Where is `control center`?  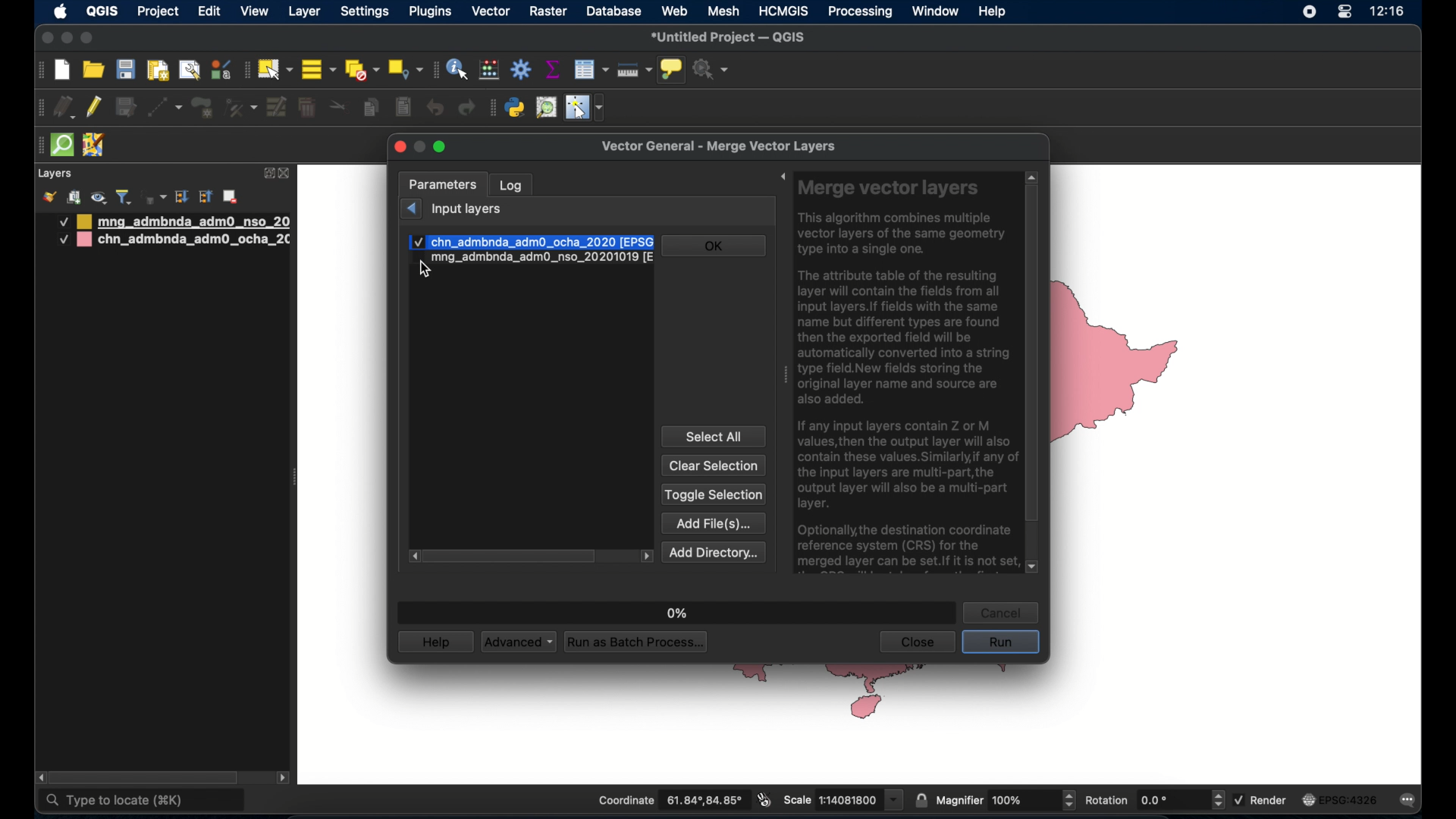 control center is located at coordinates (1344, 13).